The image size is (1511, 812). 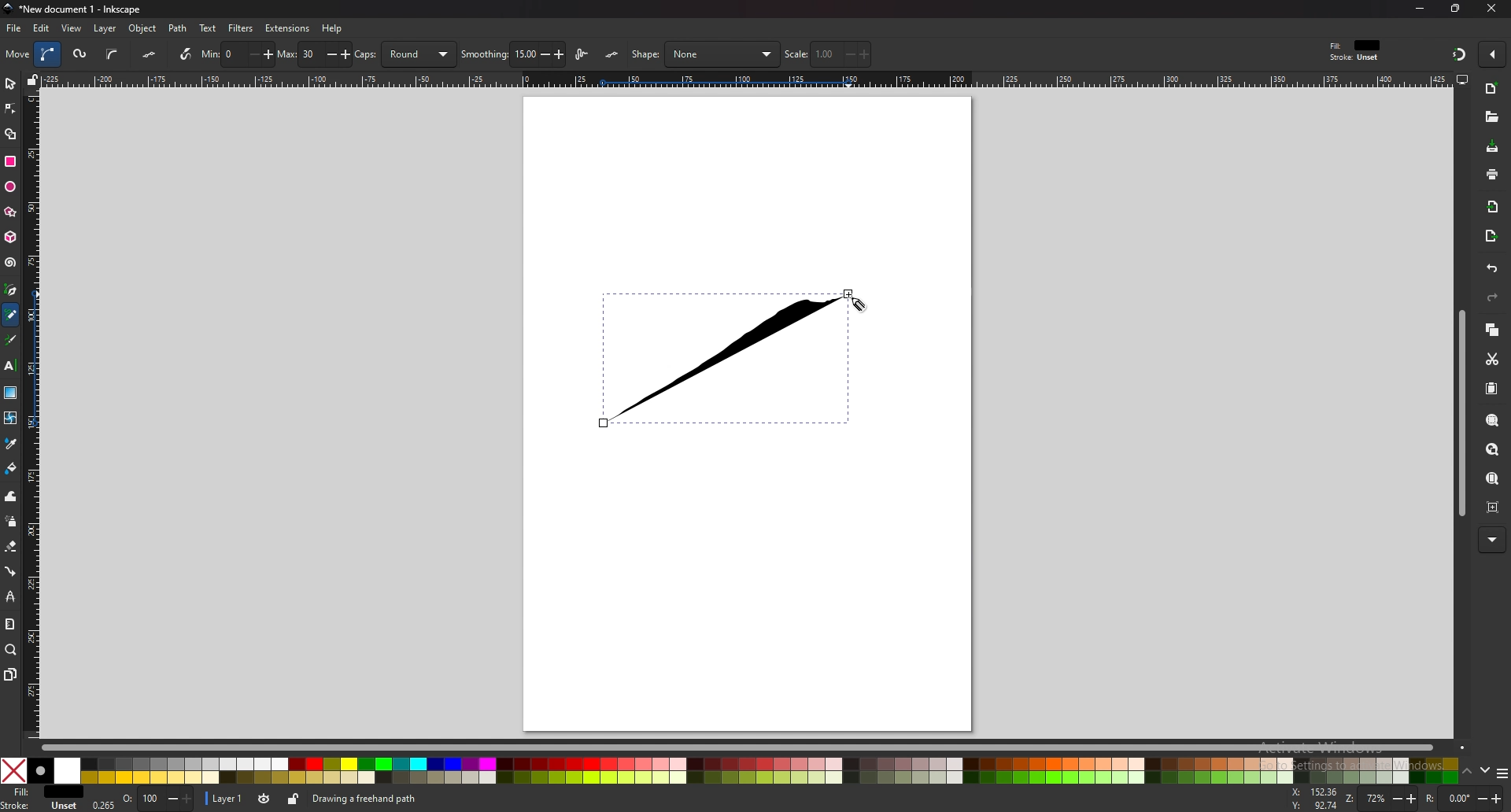 What do you see at coordinates (1493, 420) in the screenshot?
I see `zoom selection` at bounding box center [1493, 420].